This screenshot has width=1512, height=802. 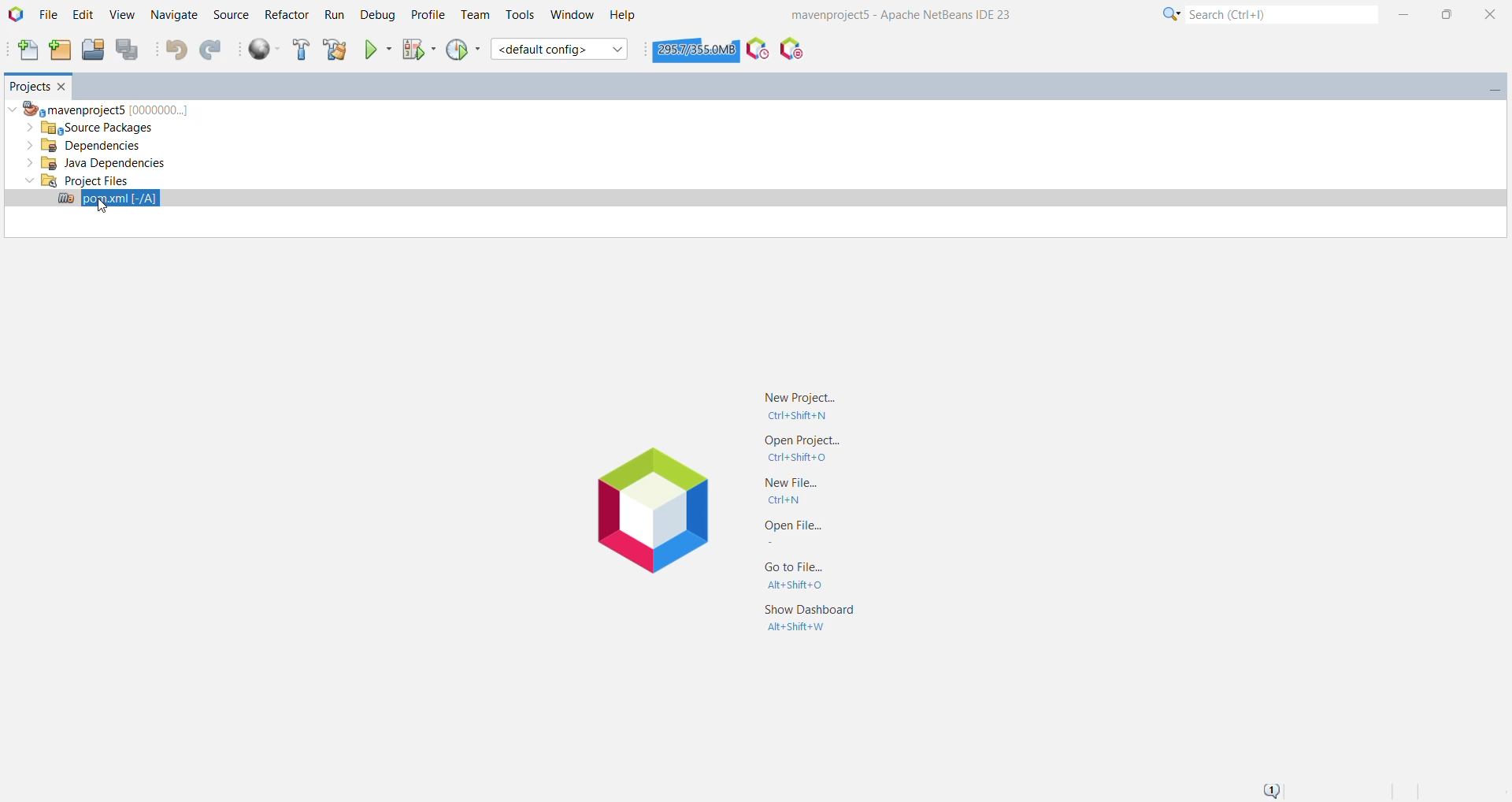 I want to click on Java Dependencies, so click(x=96, y=164).